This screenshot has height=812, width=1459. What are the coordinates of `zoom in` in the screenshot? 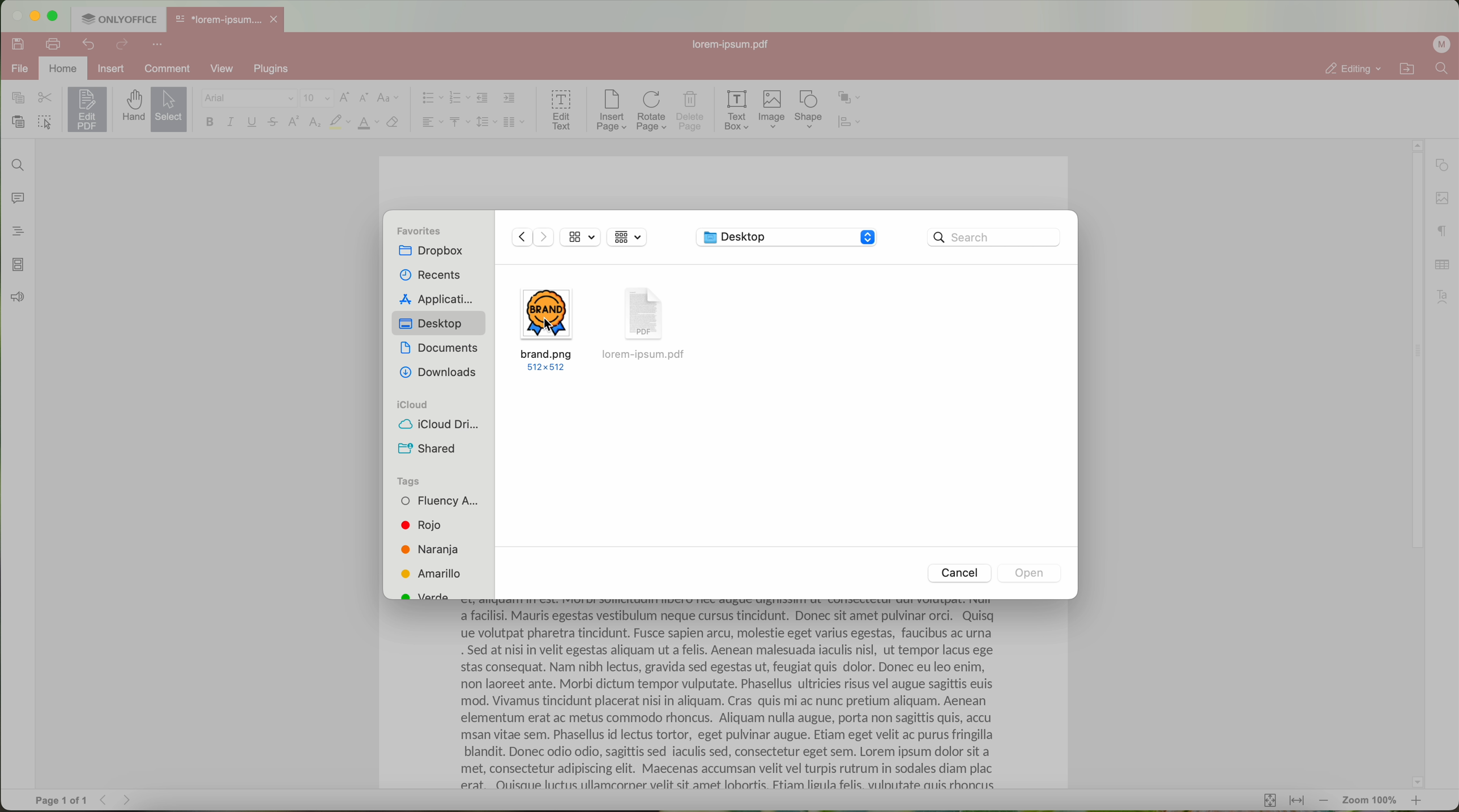 It's located at (1418, 803).